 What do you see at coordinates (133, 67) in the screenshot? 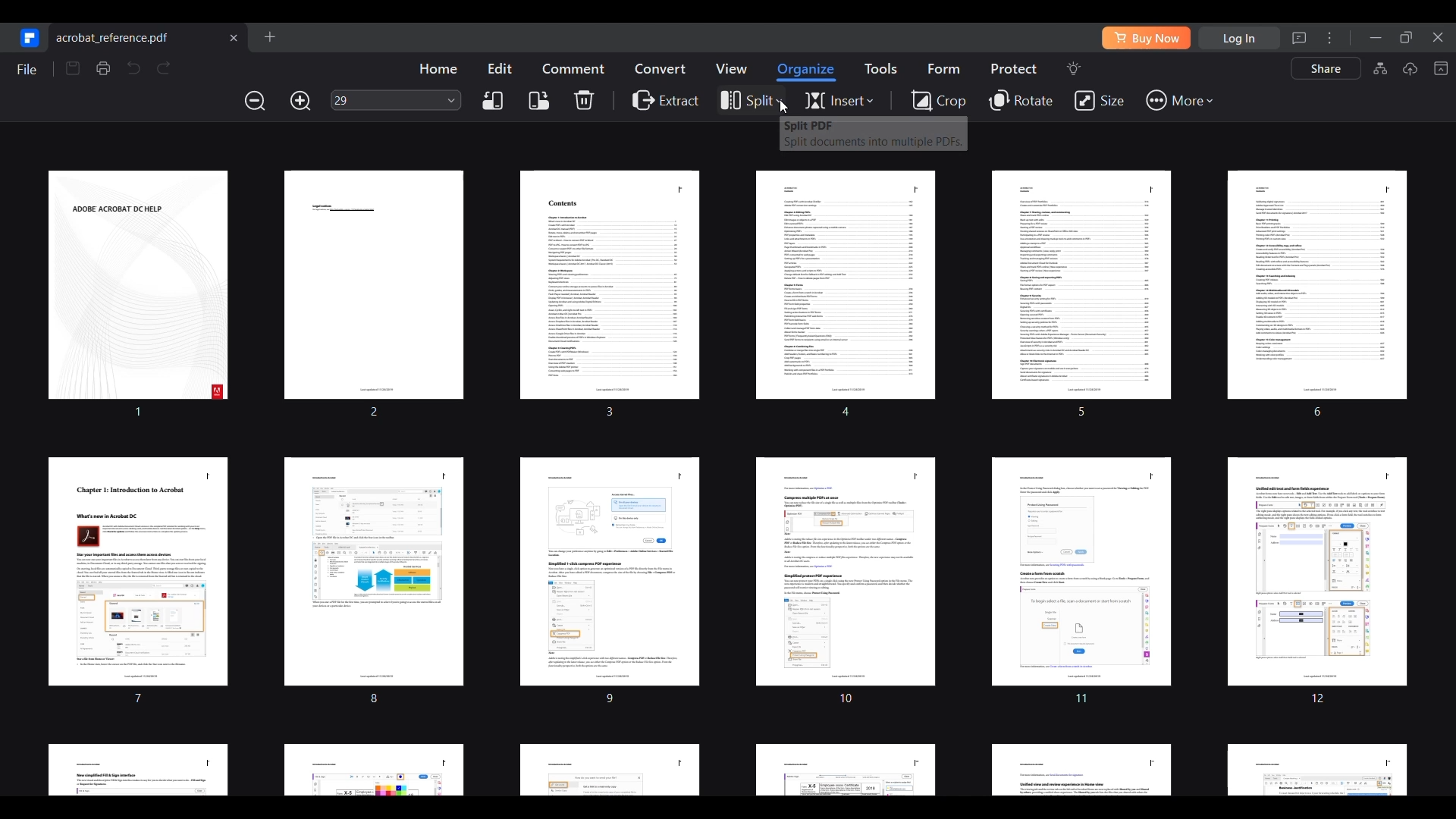
I see `Undo` at bounding box center [133, 67].